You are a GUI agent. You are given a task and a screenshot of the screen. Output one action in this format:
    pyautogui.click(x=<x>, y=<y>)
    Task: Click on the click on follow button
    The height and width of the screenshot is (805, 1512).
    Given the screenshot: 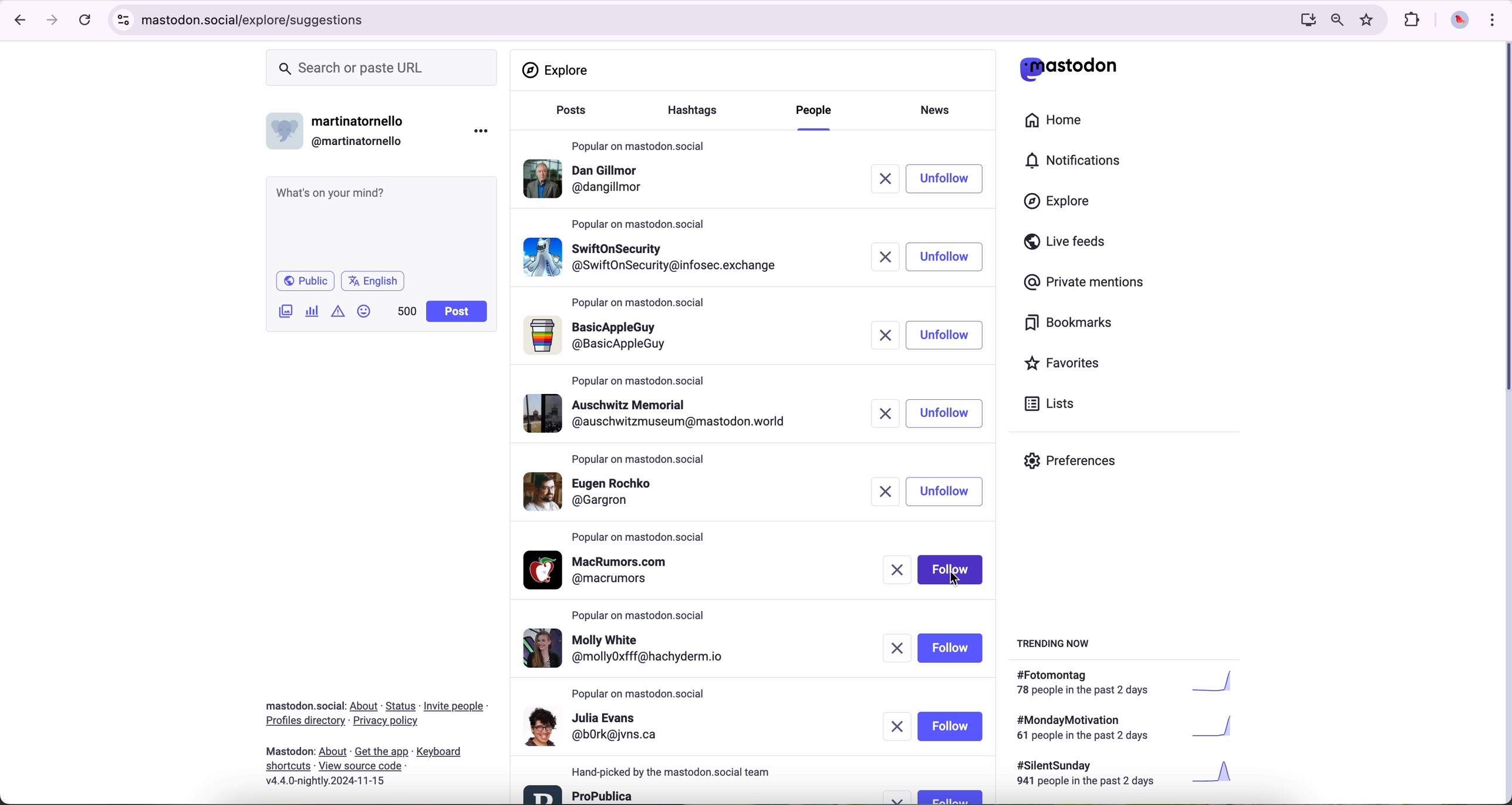 What is the action you would take?
    pyautogui.click(x=953, y=178)
    